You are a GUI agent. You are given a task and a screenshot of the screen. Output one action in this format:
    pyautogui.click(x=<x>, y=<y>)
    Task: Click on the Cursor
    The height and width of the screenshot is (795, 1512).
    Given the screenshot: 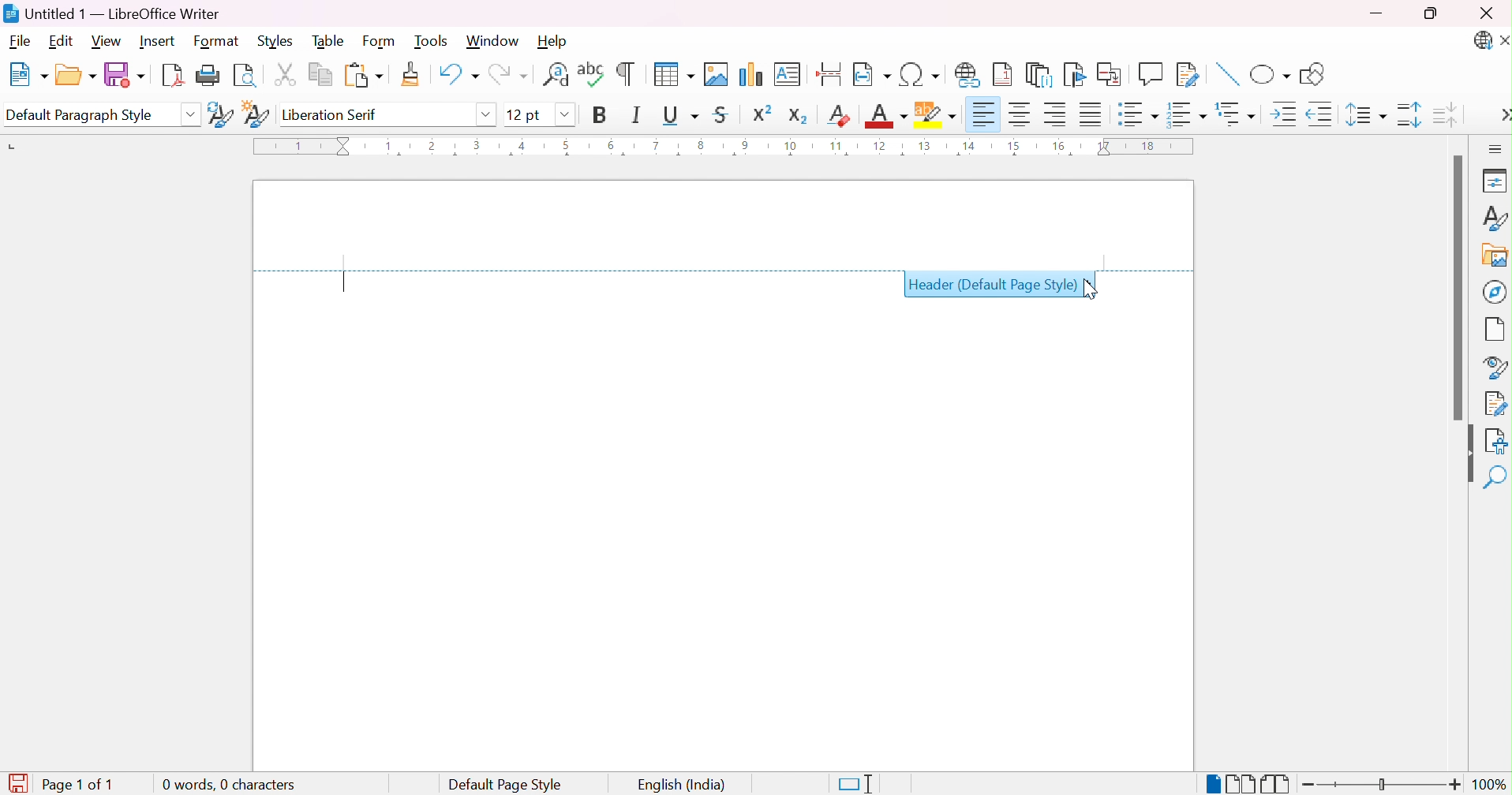 What is the action you would take?
    pyautogui.click(x=1094, y=289)
    